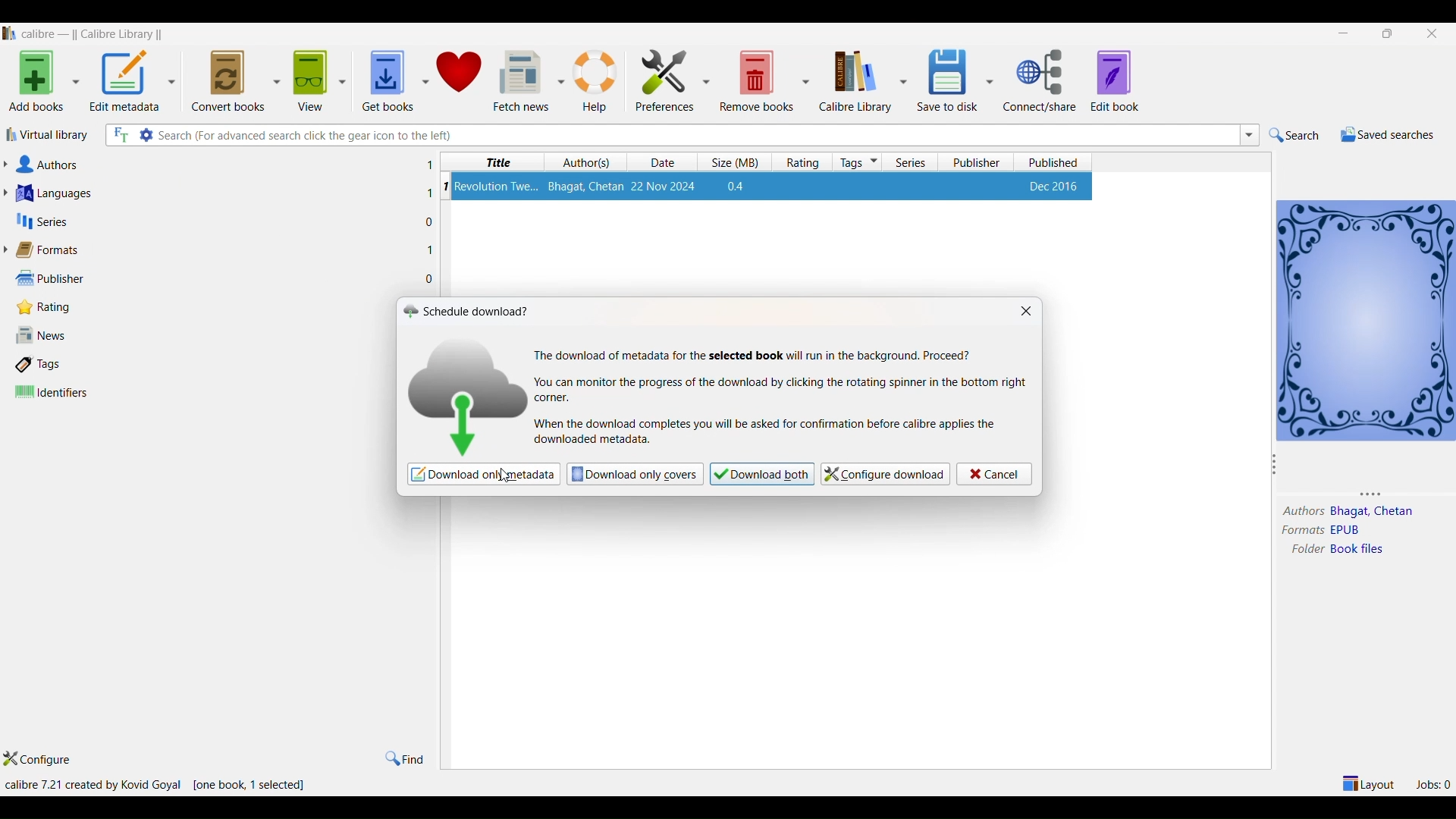 This screenshot has width=1456, height=819. What do you see at coordinates (1121, 80) in the screenshot?
I see `edit book` at bounding box center [1121, 80].